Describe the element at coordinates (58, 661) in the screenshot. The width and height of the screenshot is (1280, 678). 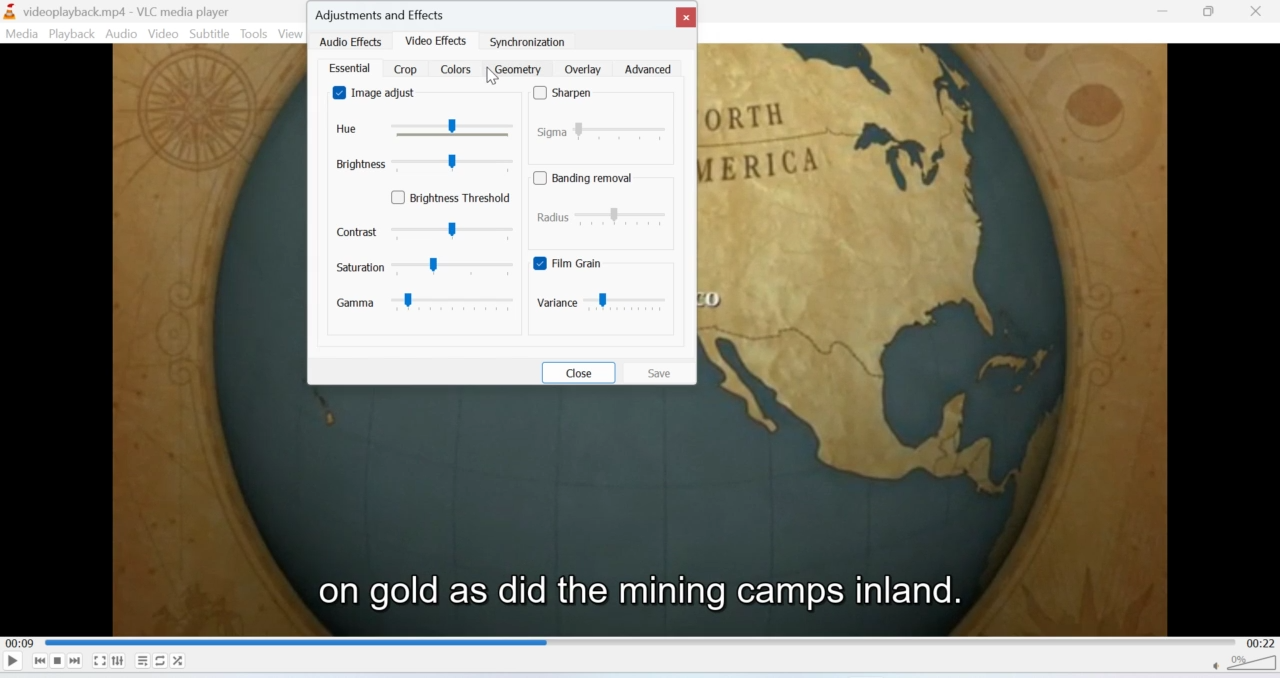
I see `Stop` at that location.